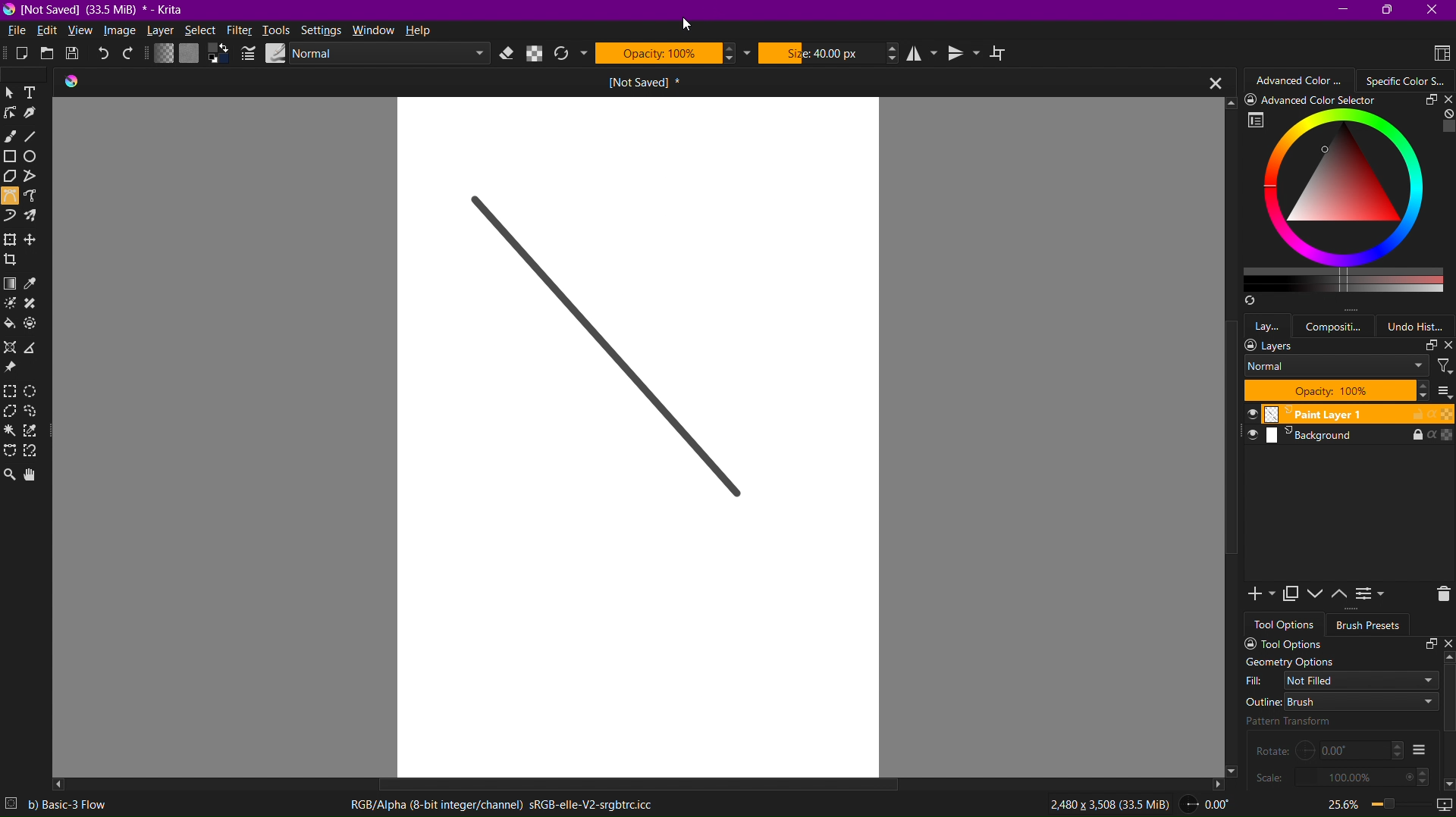 The width and height of the screenshot is (1456, 817). I want to click on Window, so click(376, 30).